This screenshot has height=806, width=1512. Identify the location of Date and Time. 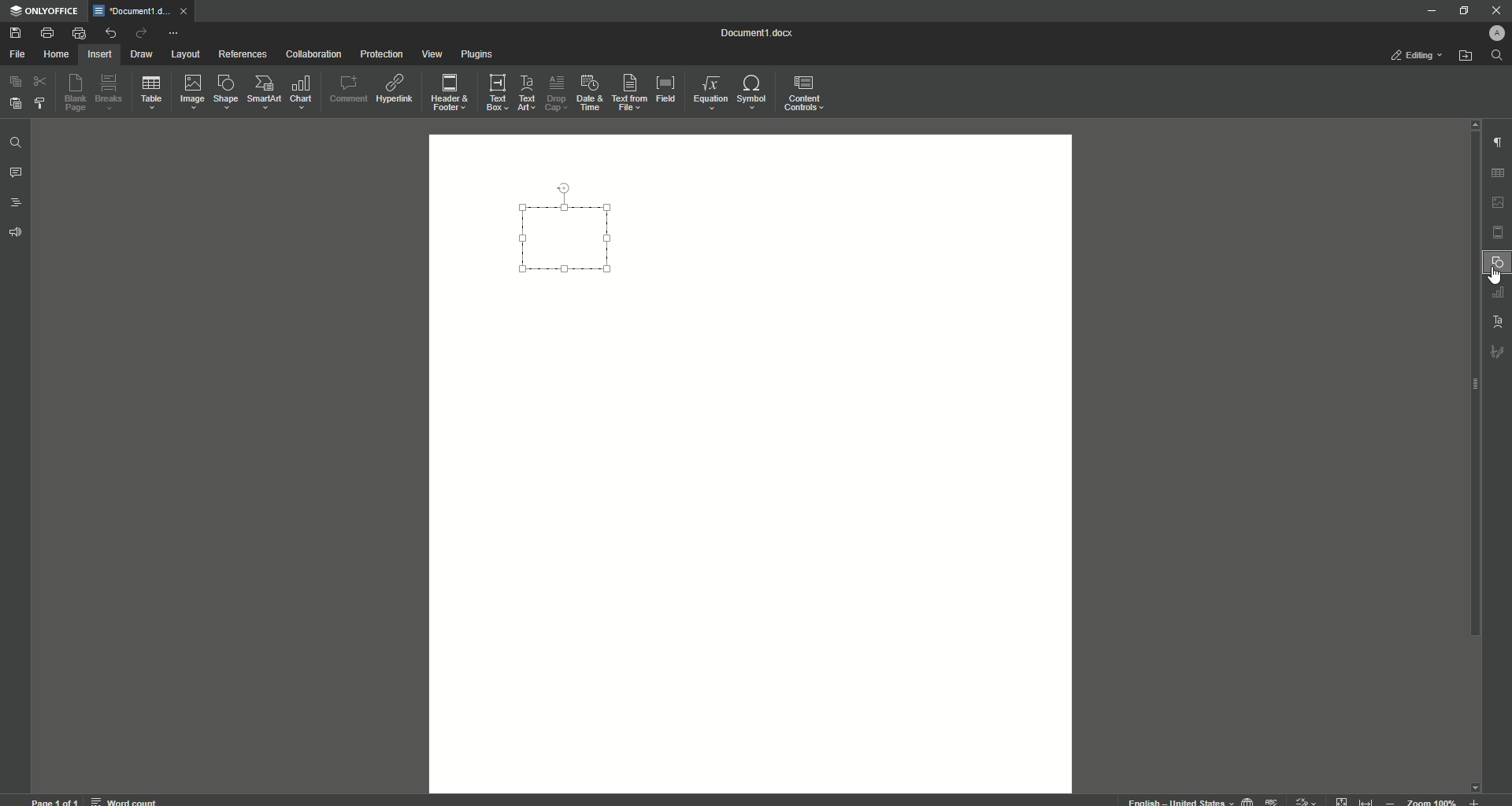
(589, 93).